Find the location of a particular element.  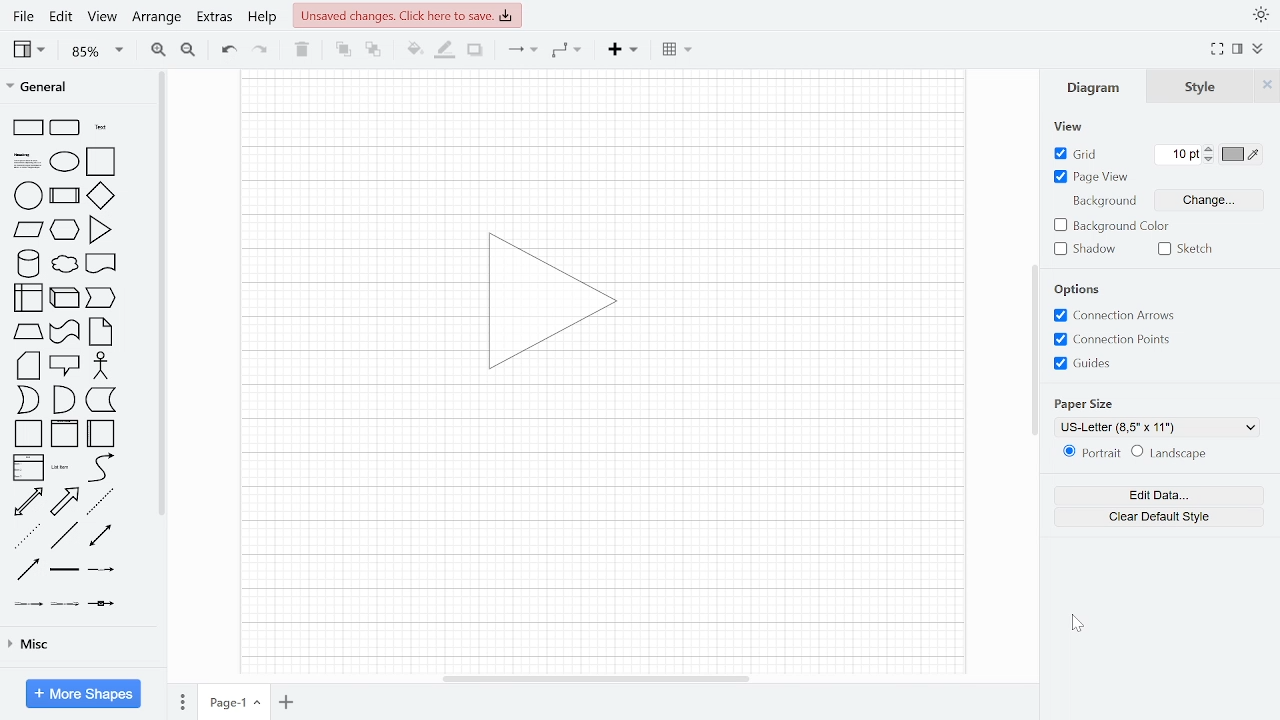

Link is located at coordinates (64, 569).